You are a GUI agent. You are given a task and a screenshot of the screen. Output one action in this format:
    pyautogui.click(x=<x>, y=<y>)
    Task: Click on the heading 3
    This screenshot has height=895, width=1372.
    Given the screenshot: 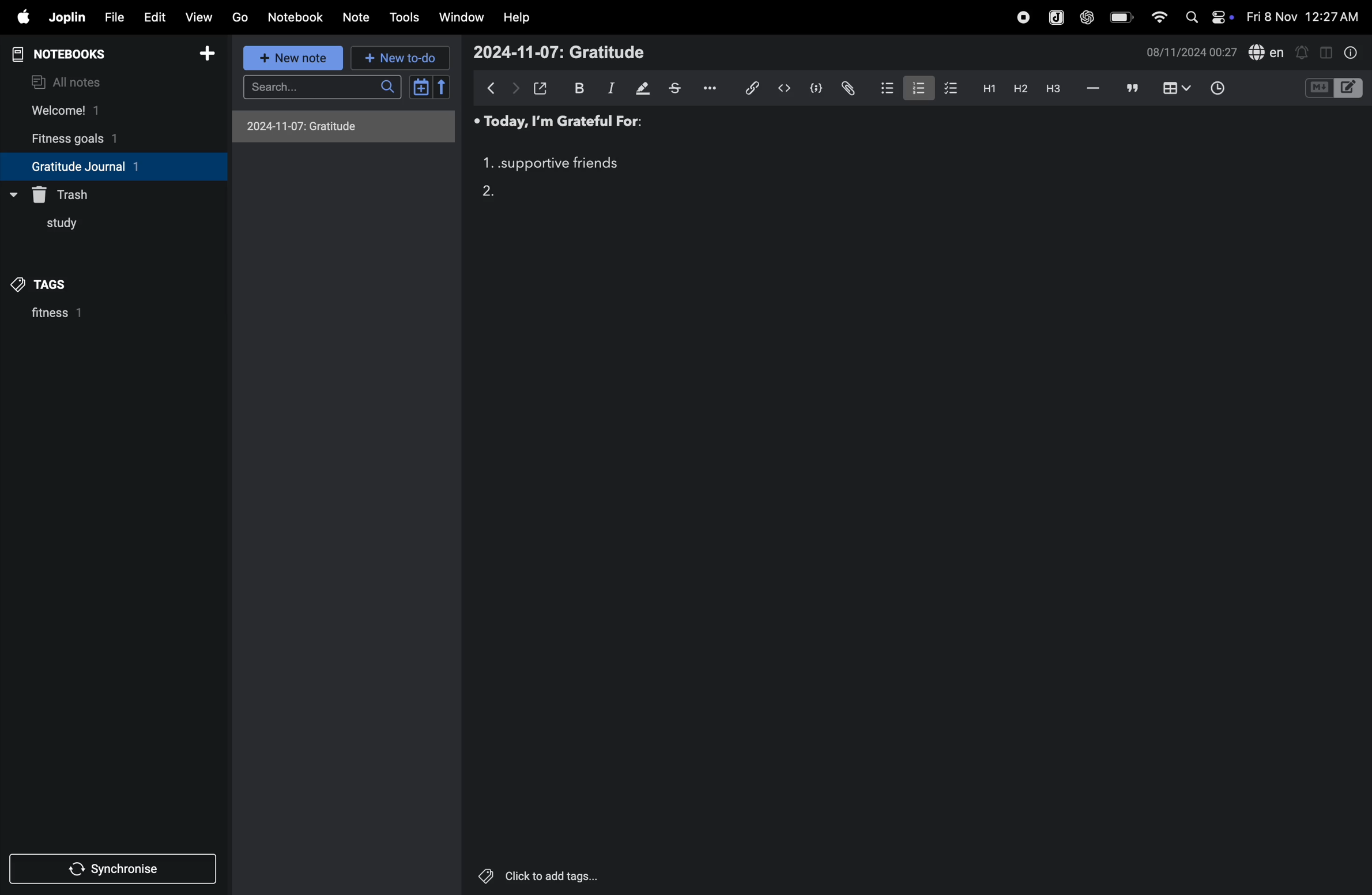 What is the action you would take?
    pyautogui.click(x=1056, y=92)
    